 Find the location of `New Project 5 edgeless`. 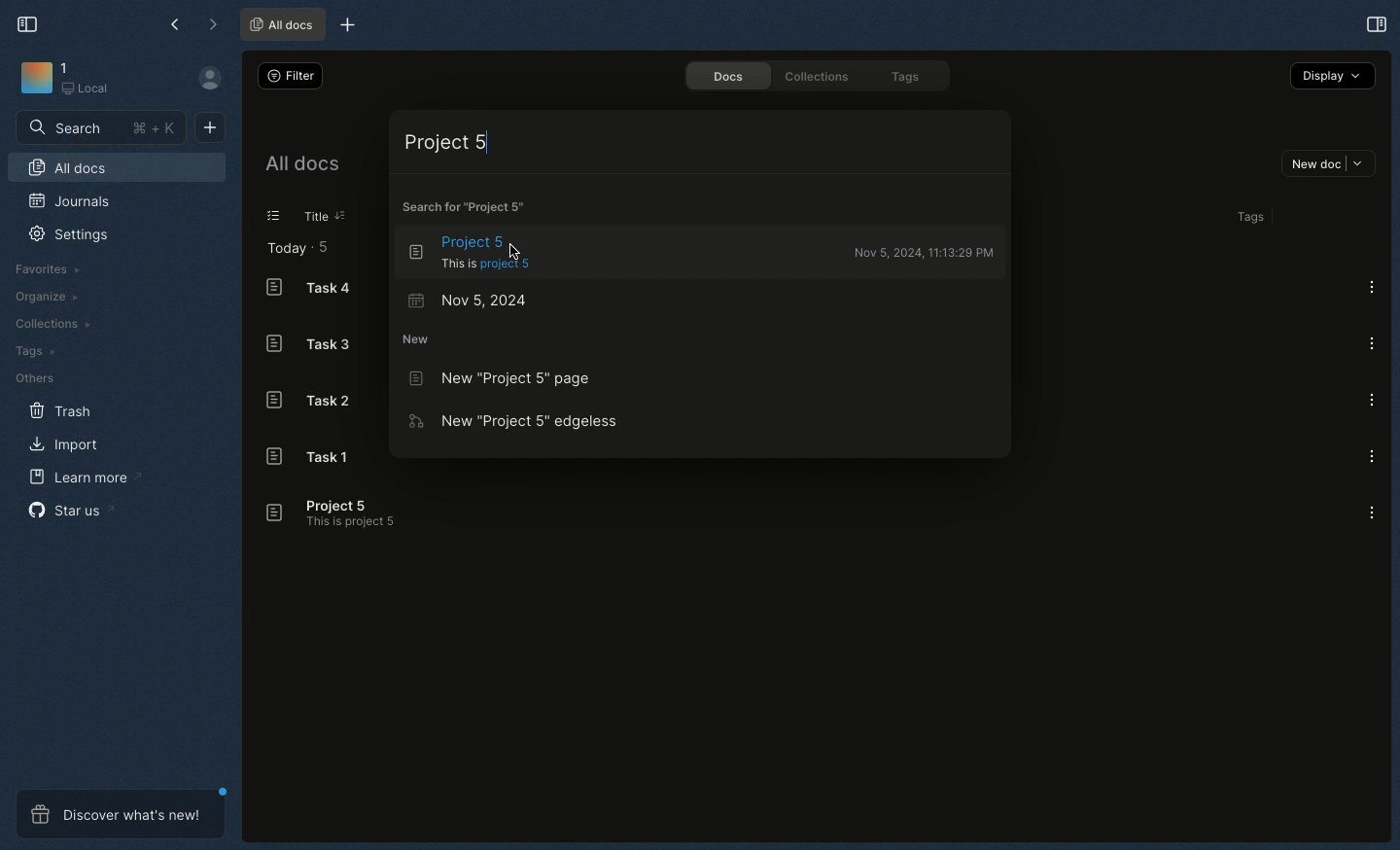

New Project 5 edgeless is located at coordinates (507, 420).